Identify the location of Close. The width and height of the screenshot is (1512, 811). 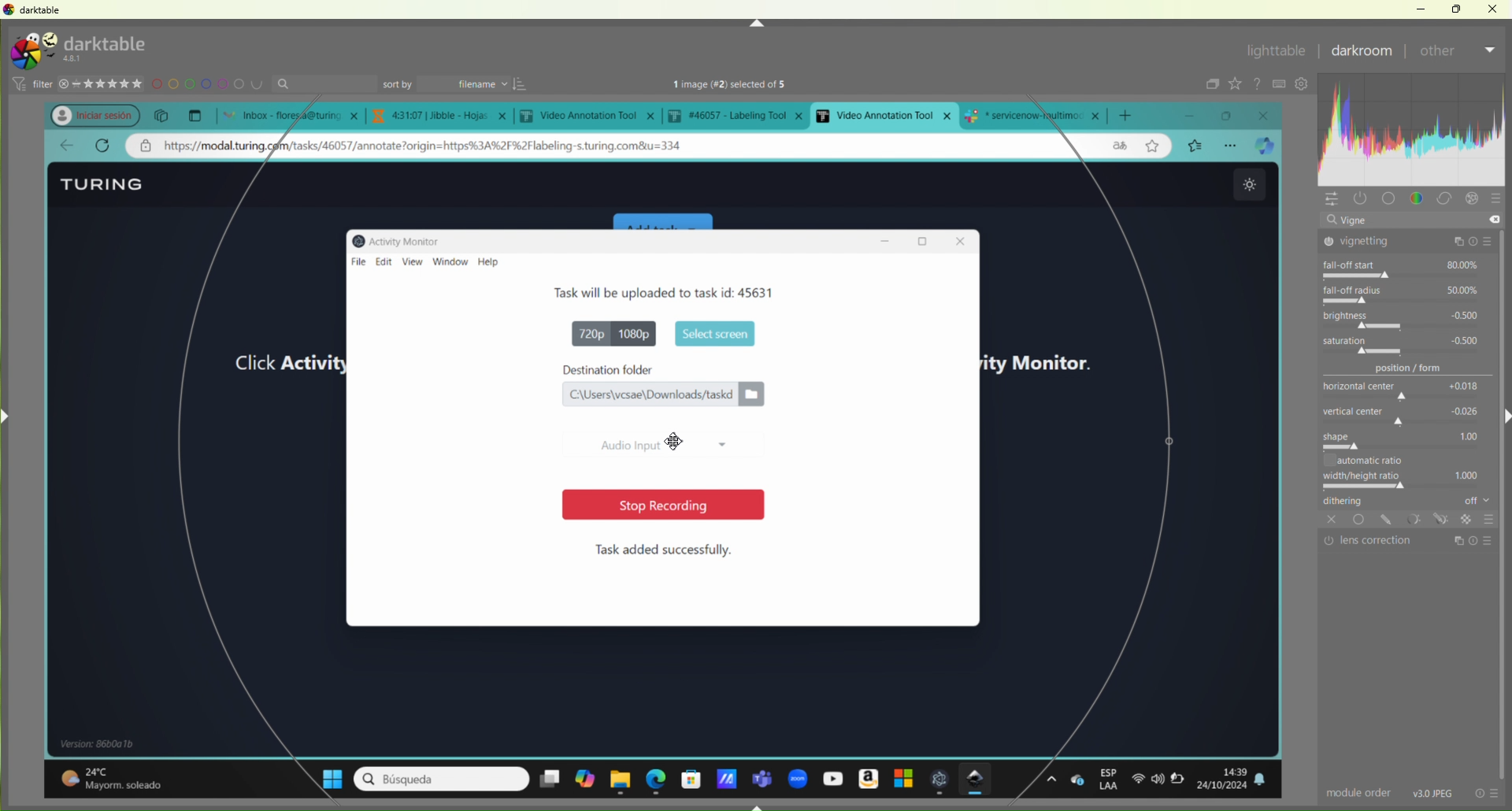
(1492, 9).